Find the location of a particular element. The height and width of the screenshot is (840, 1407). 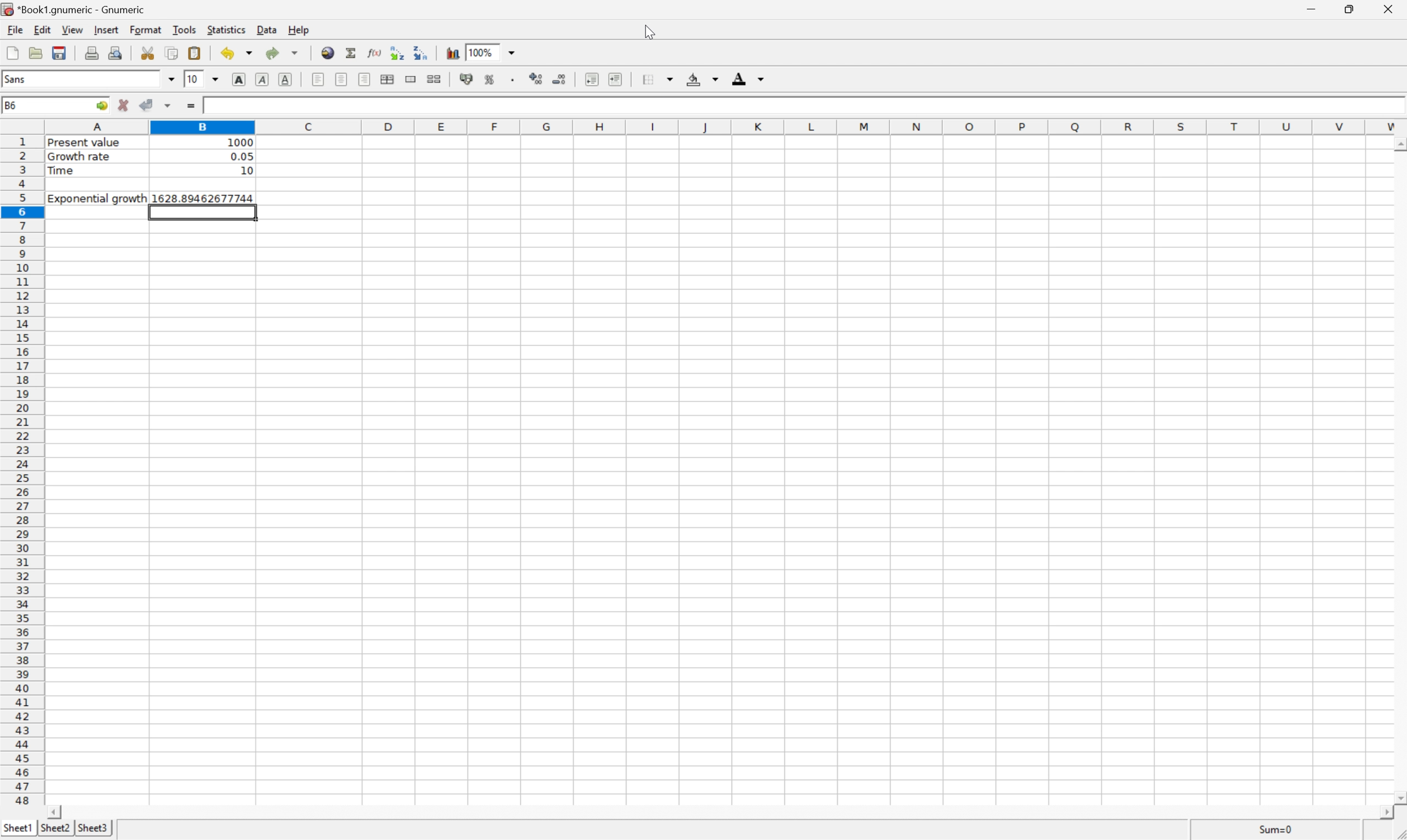

0.05 is located at coordinates (240, 156).